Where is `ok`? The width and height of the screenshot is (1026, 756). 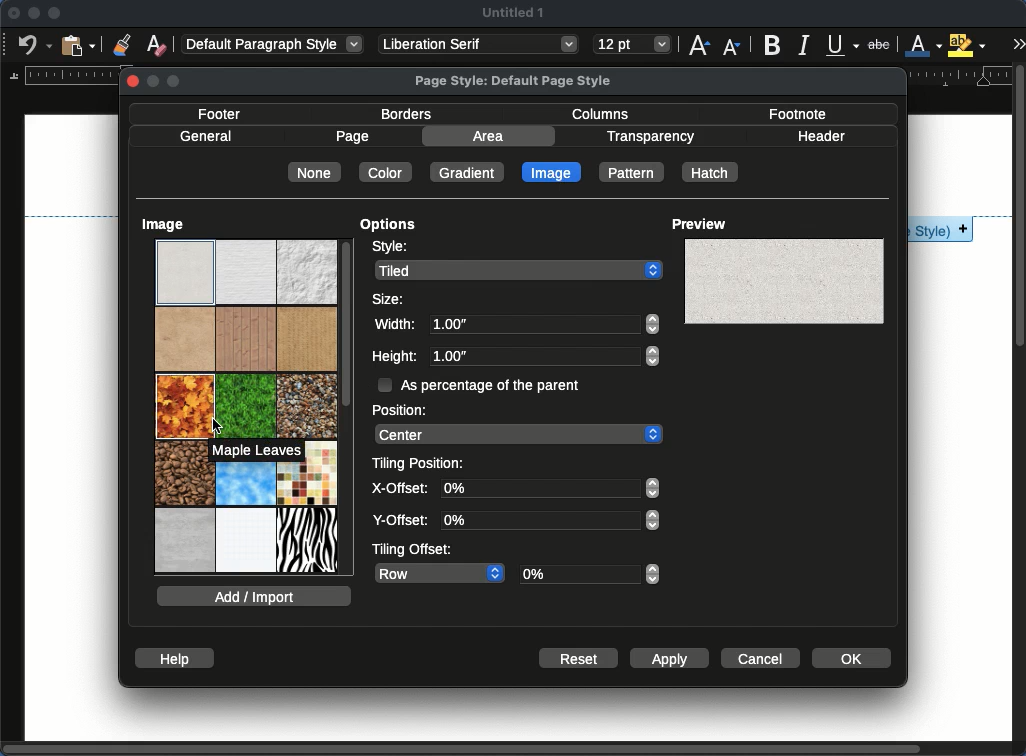 ok is located at coordinates (854, 658).